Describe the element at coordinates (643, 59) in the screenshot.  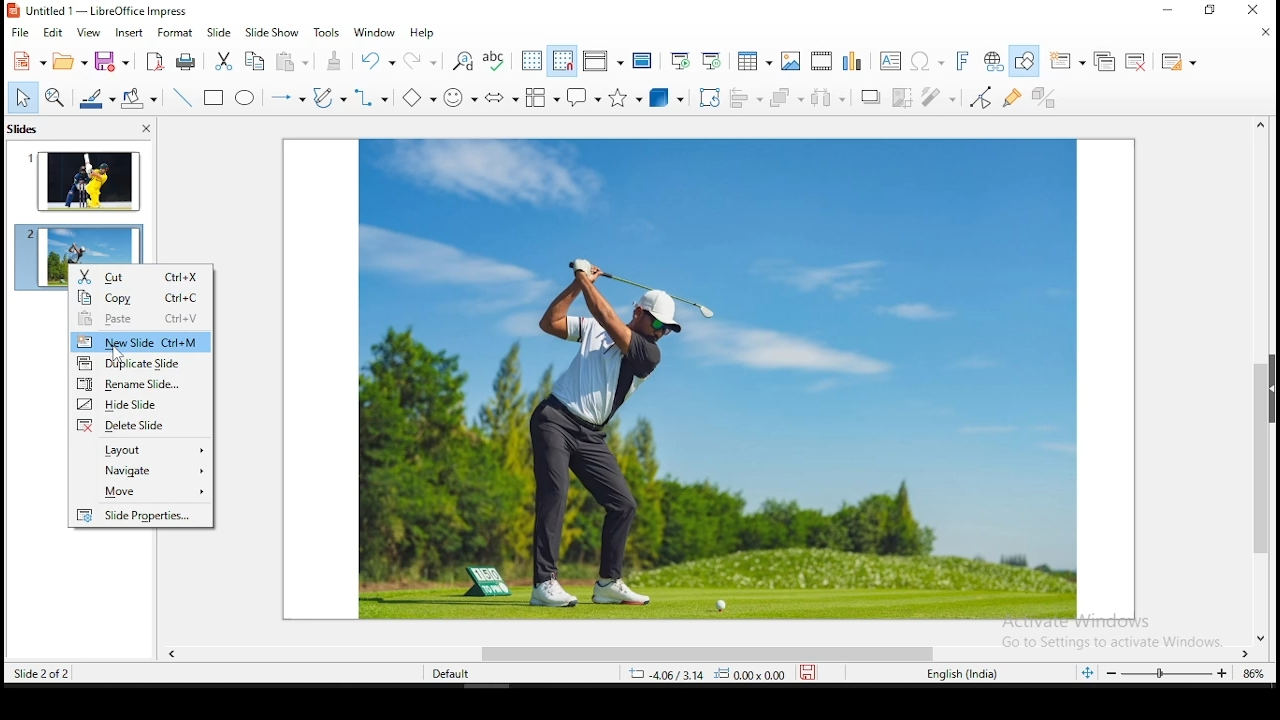
I see `master slide` at that location.